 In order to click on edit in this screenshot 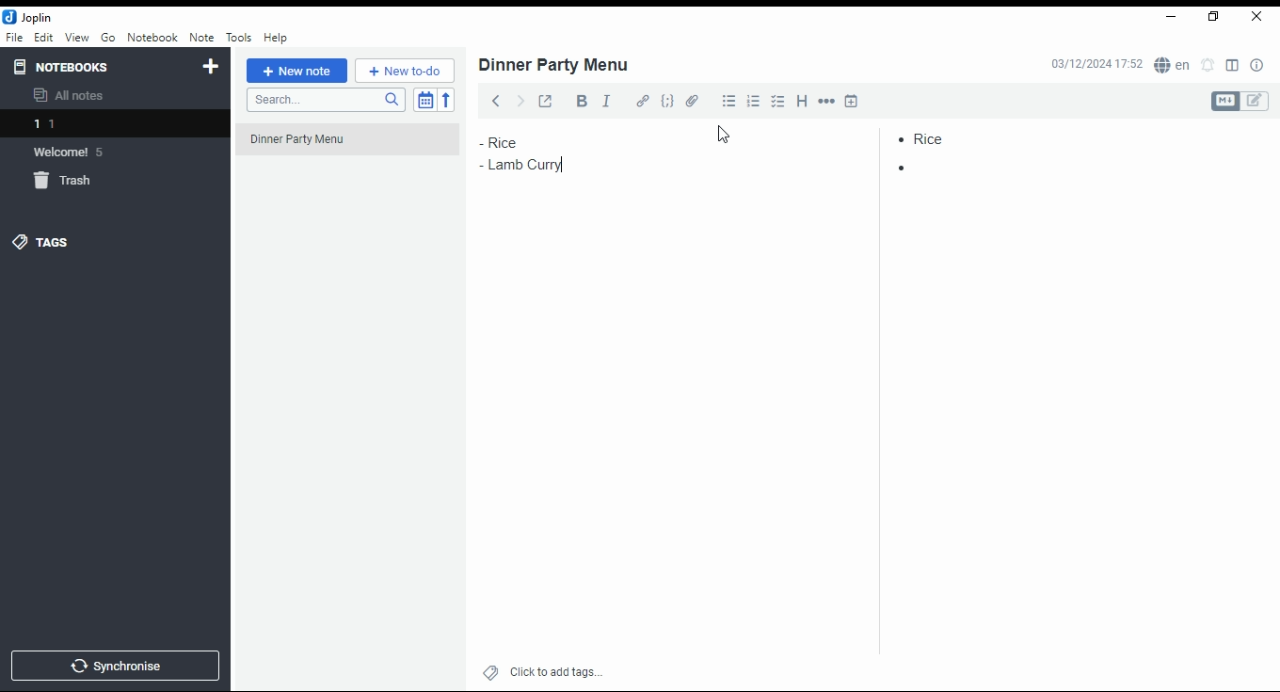, I will do `click(1257, 101)`.